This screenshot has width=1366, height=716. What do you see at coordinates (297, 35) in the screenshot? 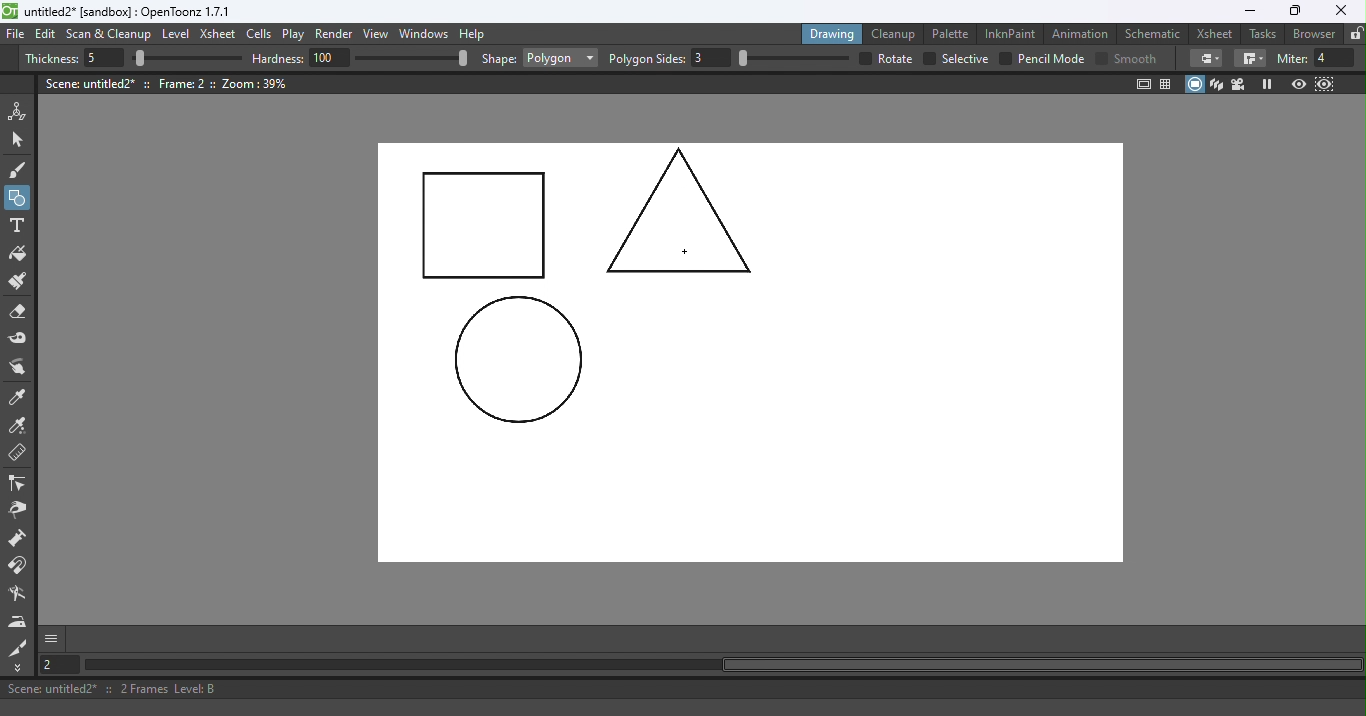
I see `Play` at bounding box center [297, 35].